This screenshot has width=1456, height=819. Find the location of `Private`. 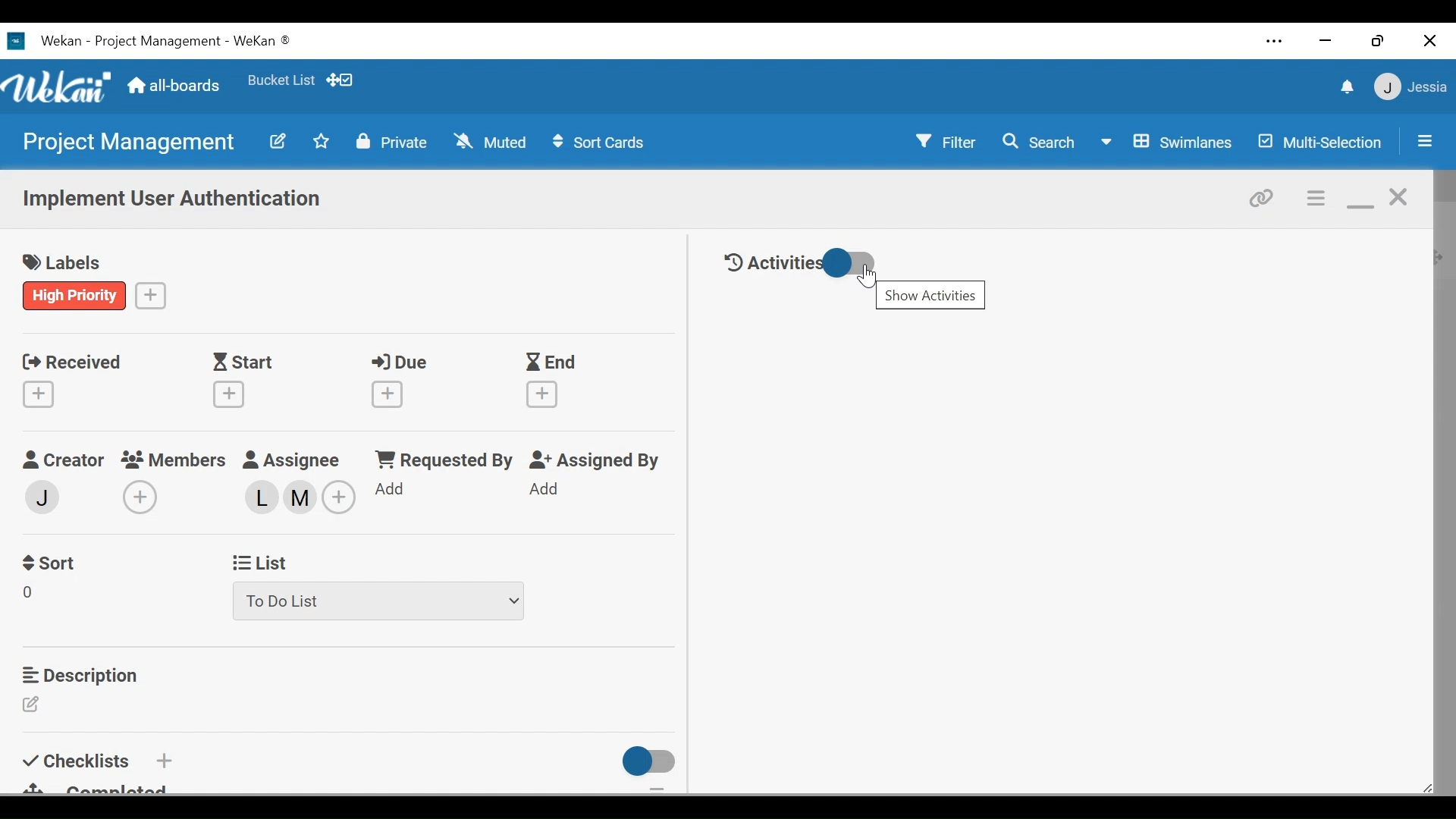

Private is located at coordinates (394, 141).